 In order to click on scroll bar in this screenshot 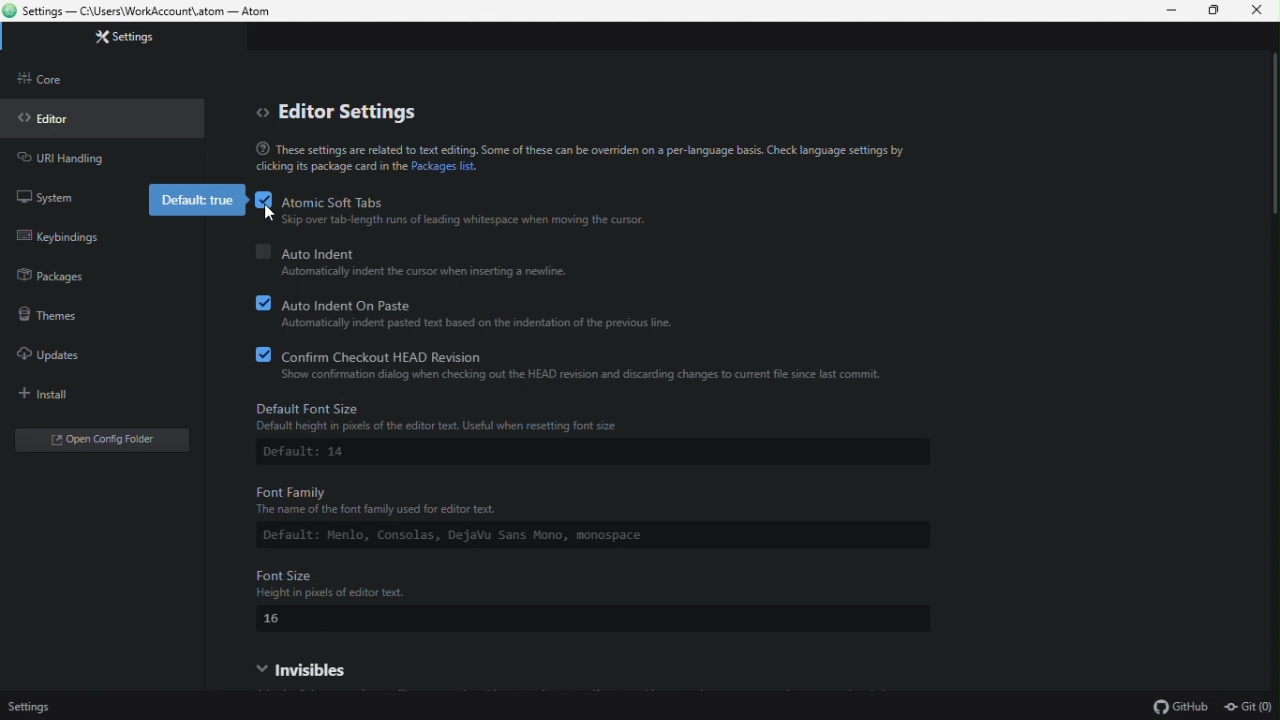, I will do `click(1267, 150)`.